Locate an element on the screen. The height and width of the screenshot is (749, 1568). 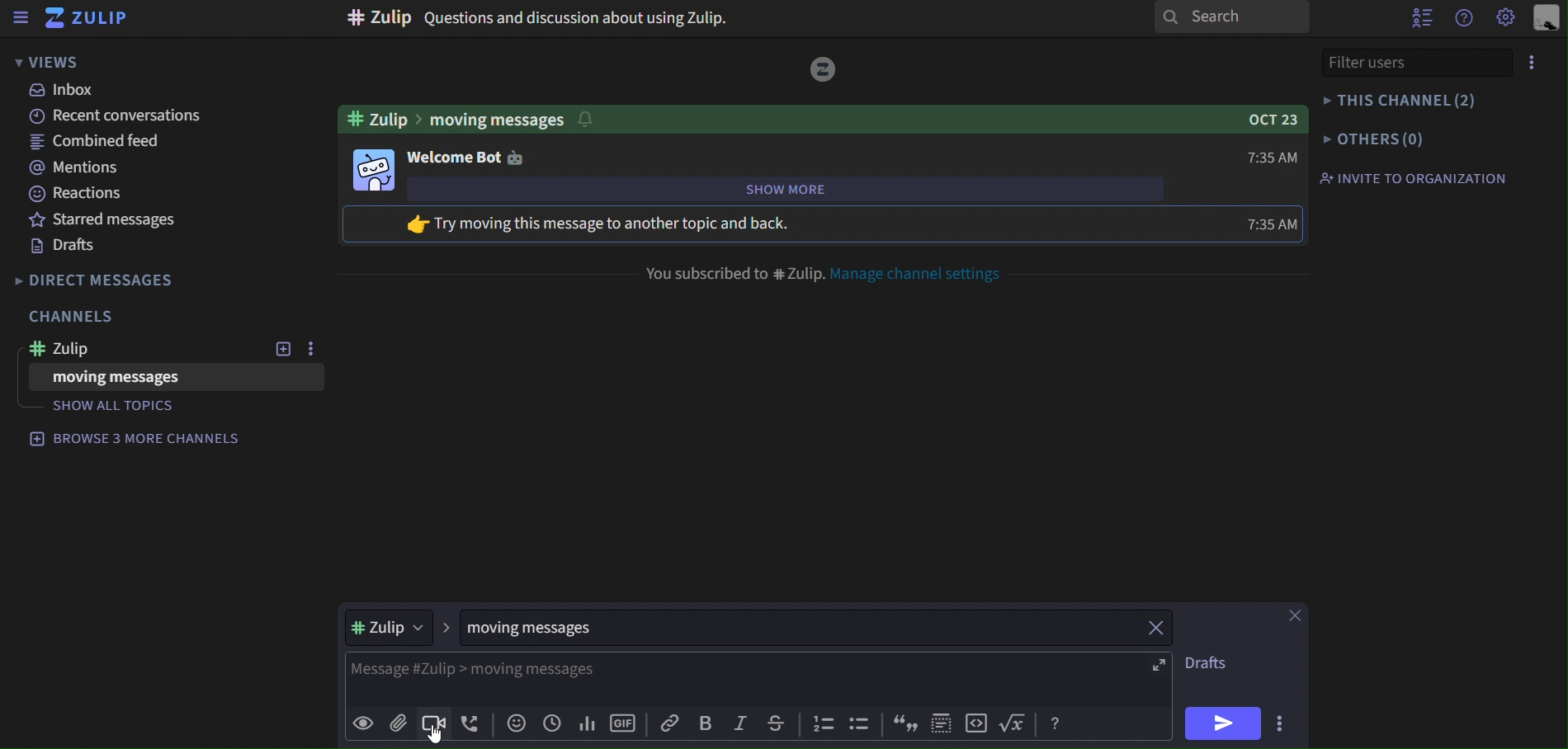
add global time is located at coordinates (550, 726).